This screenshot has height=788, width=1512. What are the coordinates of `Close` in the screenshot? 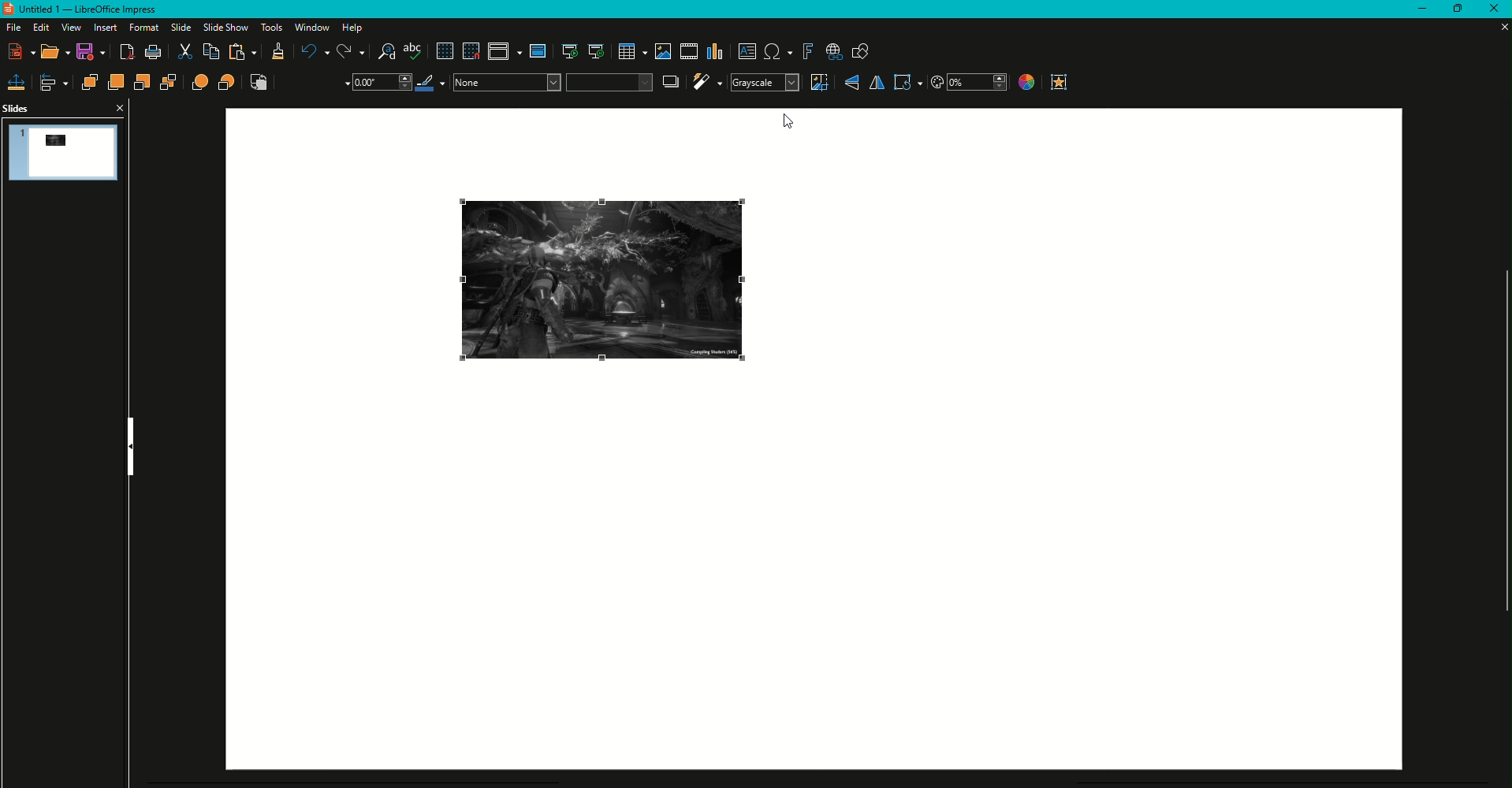 It's located at (118, 107).